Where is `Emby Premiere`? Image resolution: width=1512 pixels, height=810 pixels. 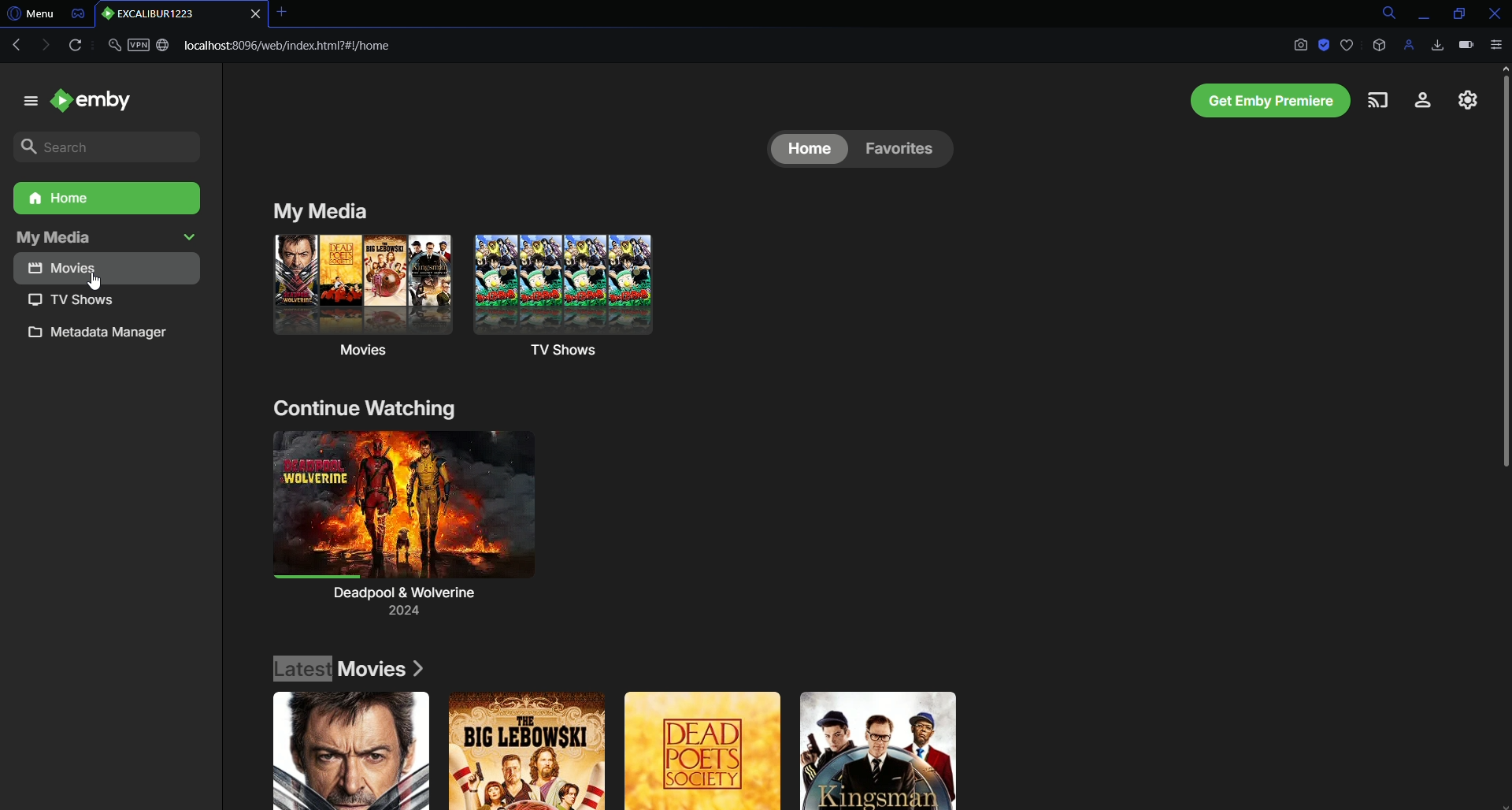 Emby Premiere is located at coordinates (1261, 98).